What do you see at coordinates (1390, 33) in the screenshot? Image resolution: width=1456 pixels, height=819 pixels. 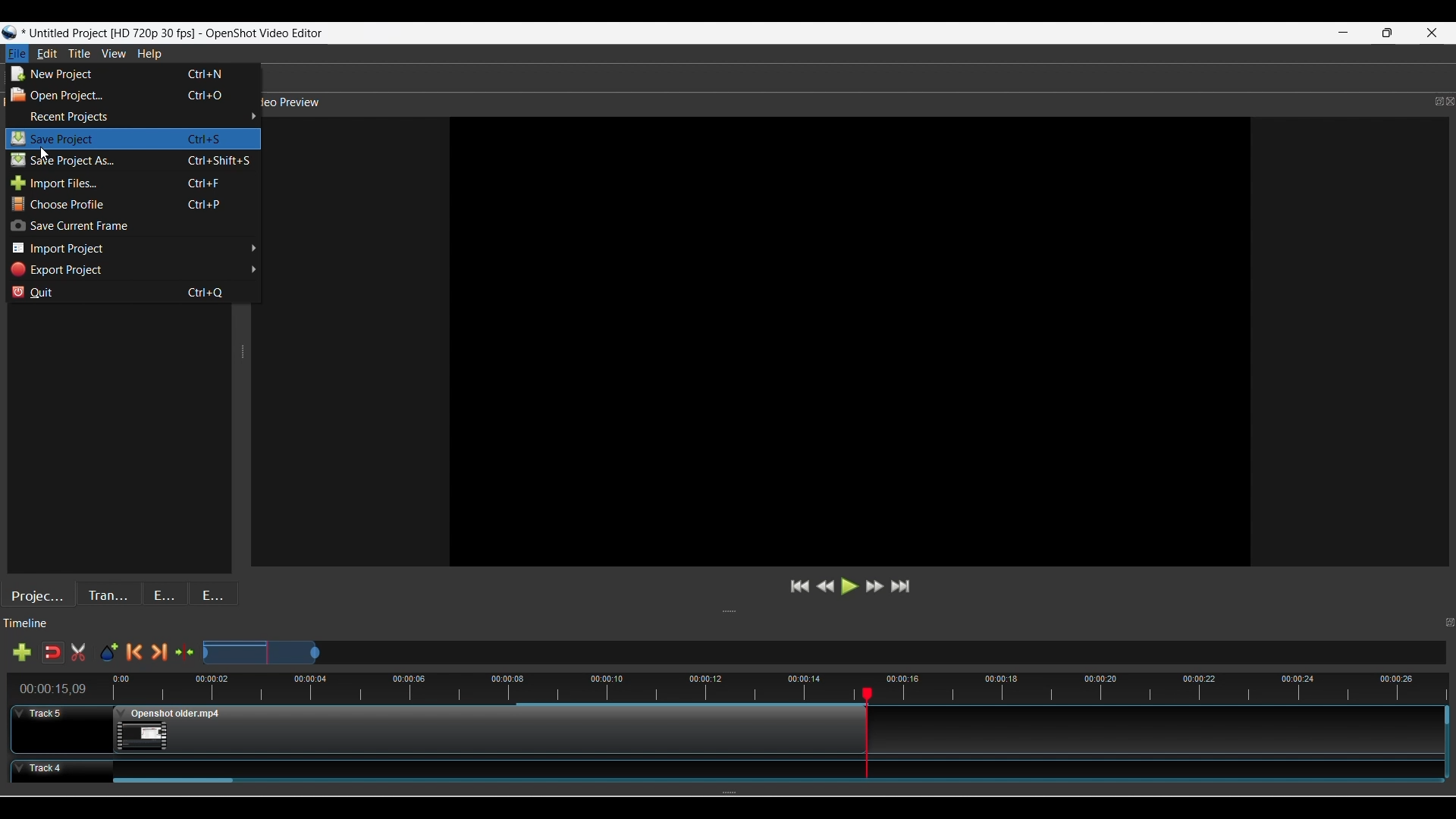 I see `Restore` at bounding box center [1390, 33].